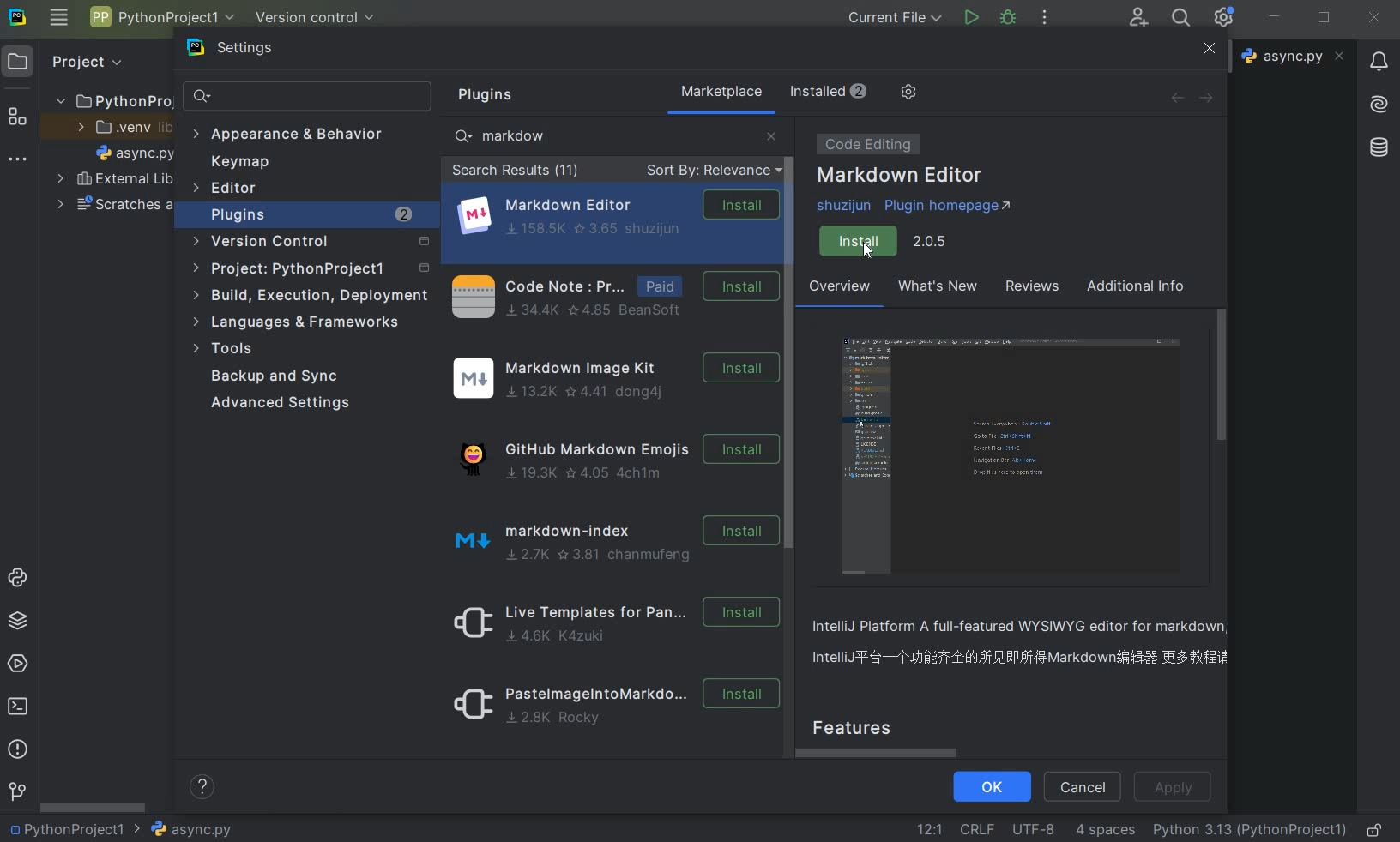 This screenshot has height=842, width=1400. What do you see at coordinates (936, 289) in the screenshot?
I see `what's new` at bounding box center [936, 289].